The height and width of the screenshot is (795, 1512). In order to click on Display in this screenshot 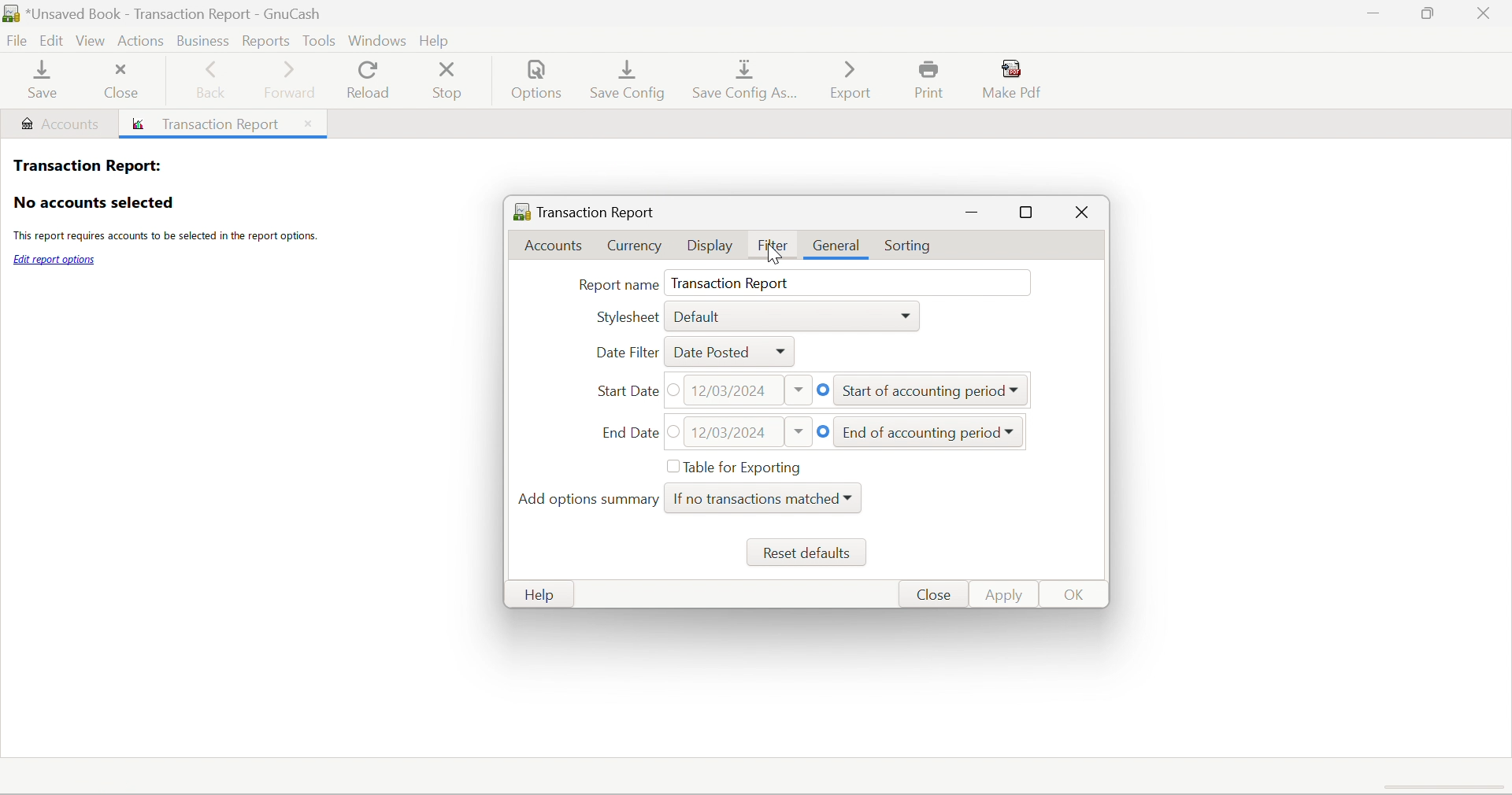, I will do `click(710, 247)`.